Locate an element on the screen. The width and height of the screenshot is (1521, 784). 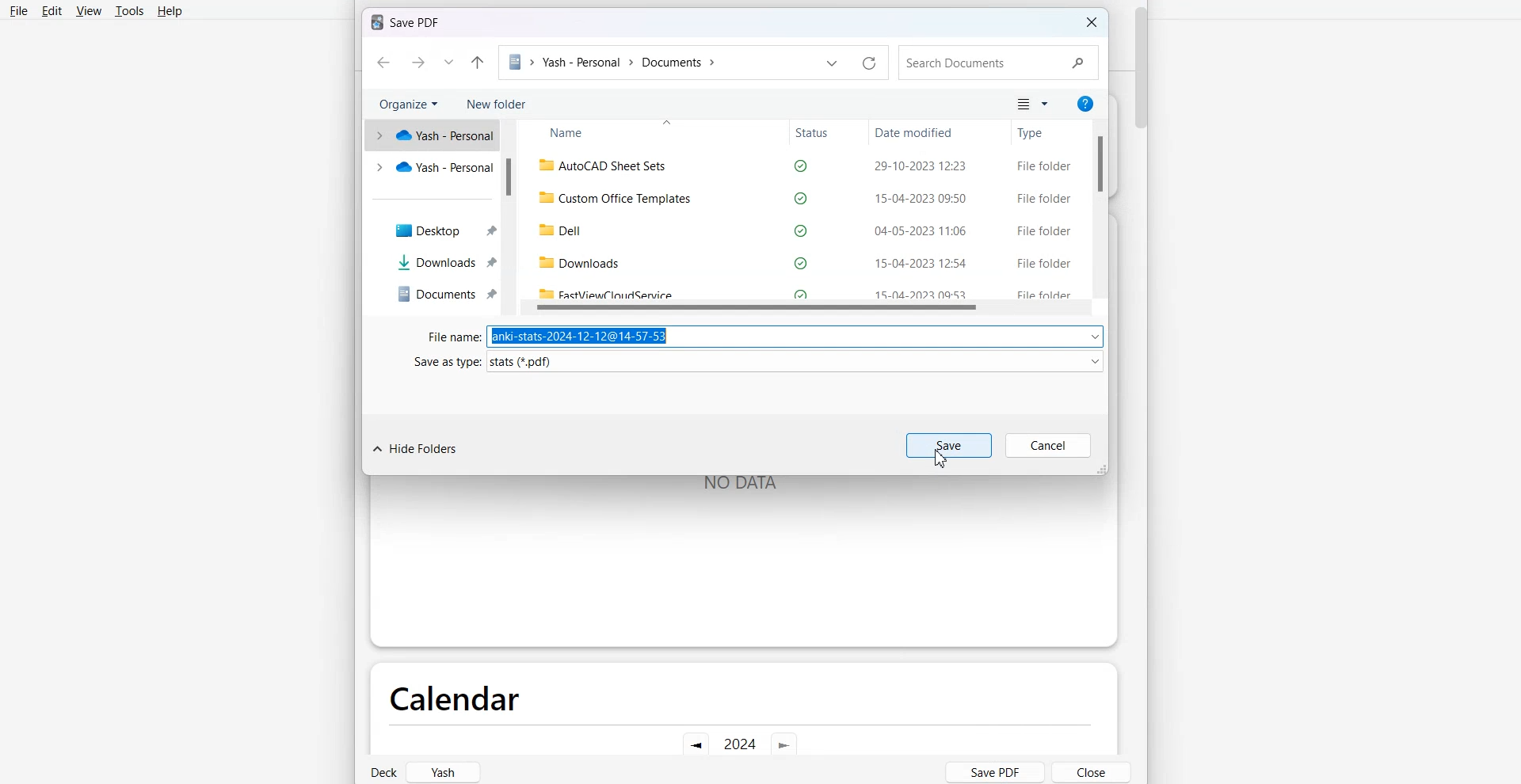
Tools is located at coordinates (129, 11).